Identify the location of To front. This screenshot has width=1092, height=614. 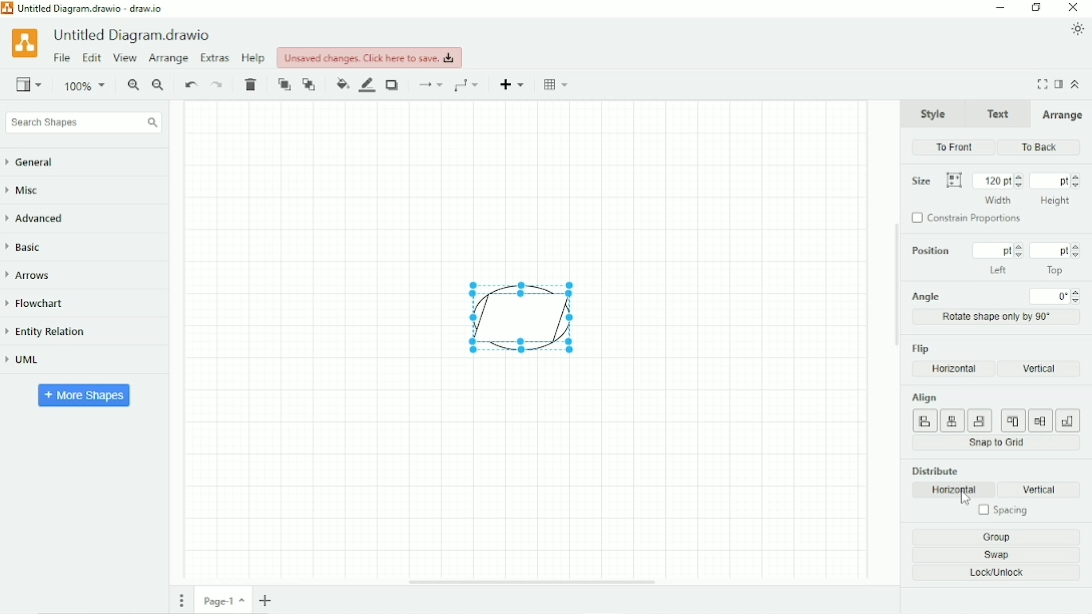
(284, 85).